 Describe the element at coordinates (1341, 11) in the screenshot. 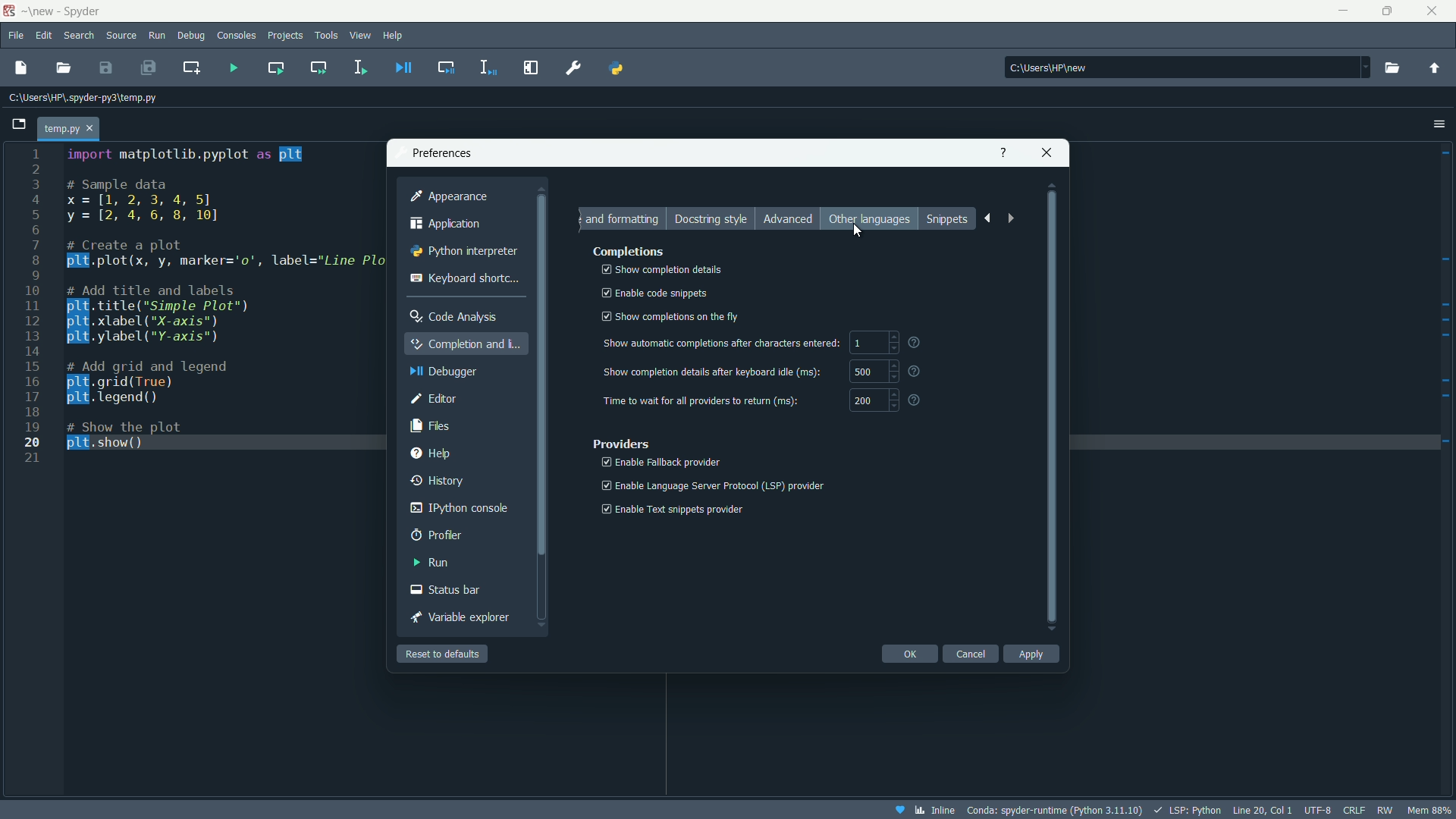

I see `minimize` at that location.